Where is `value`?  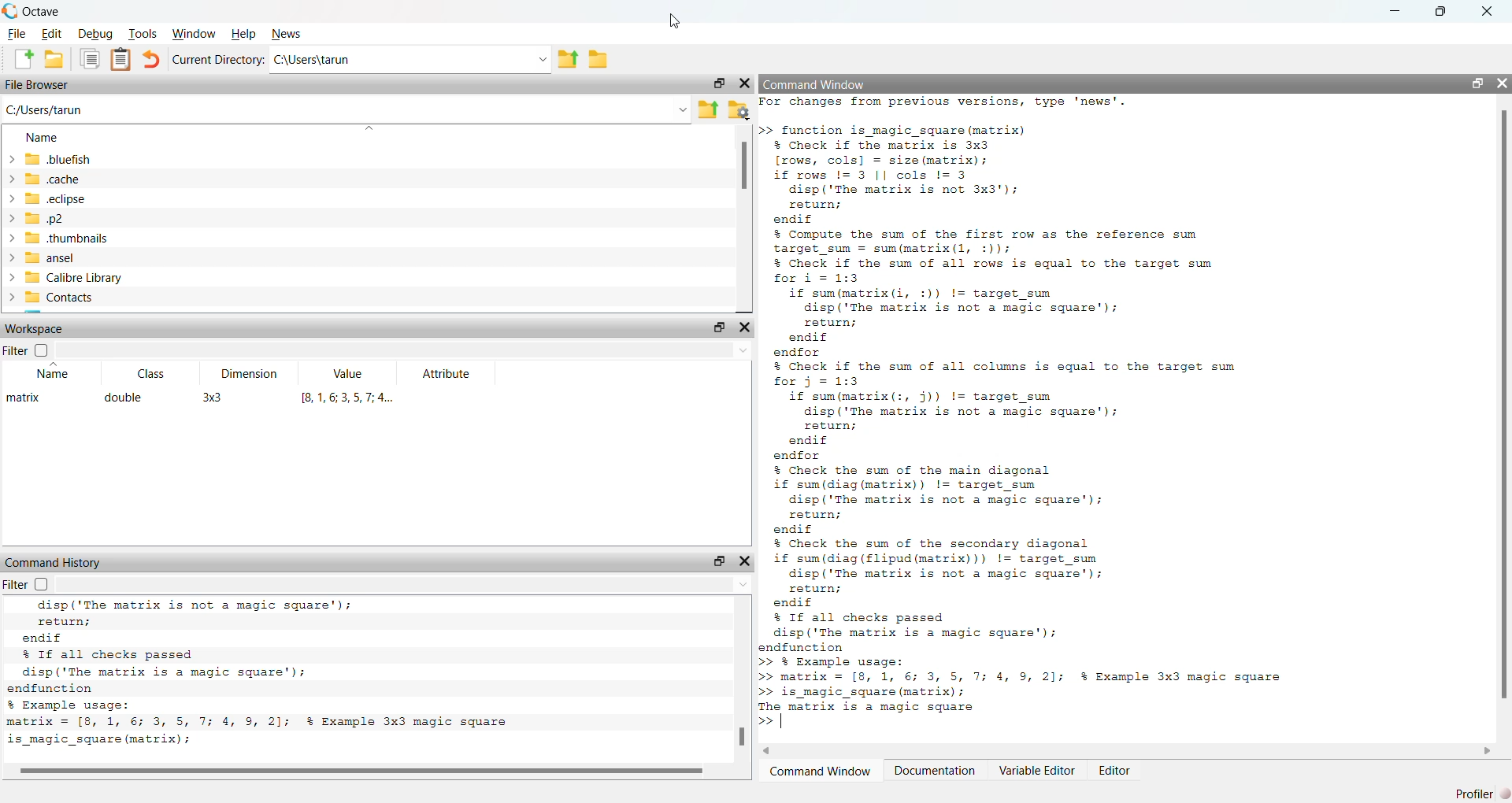
value is located at coordinates (350, 374).